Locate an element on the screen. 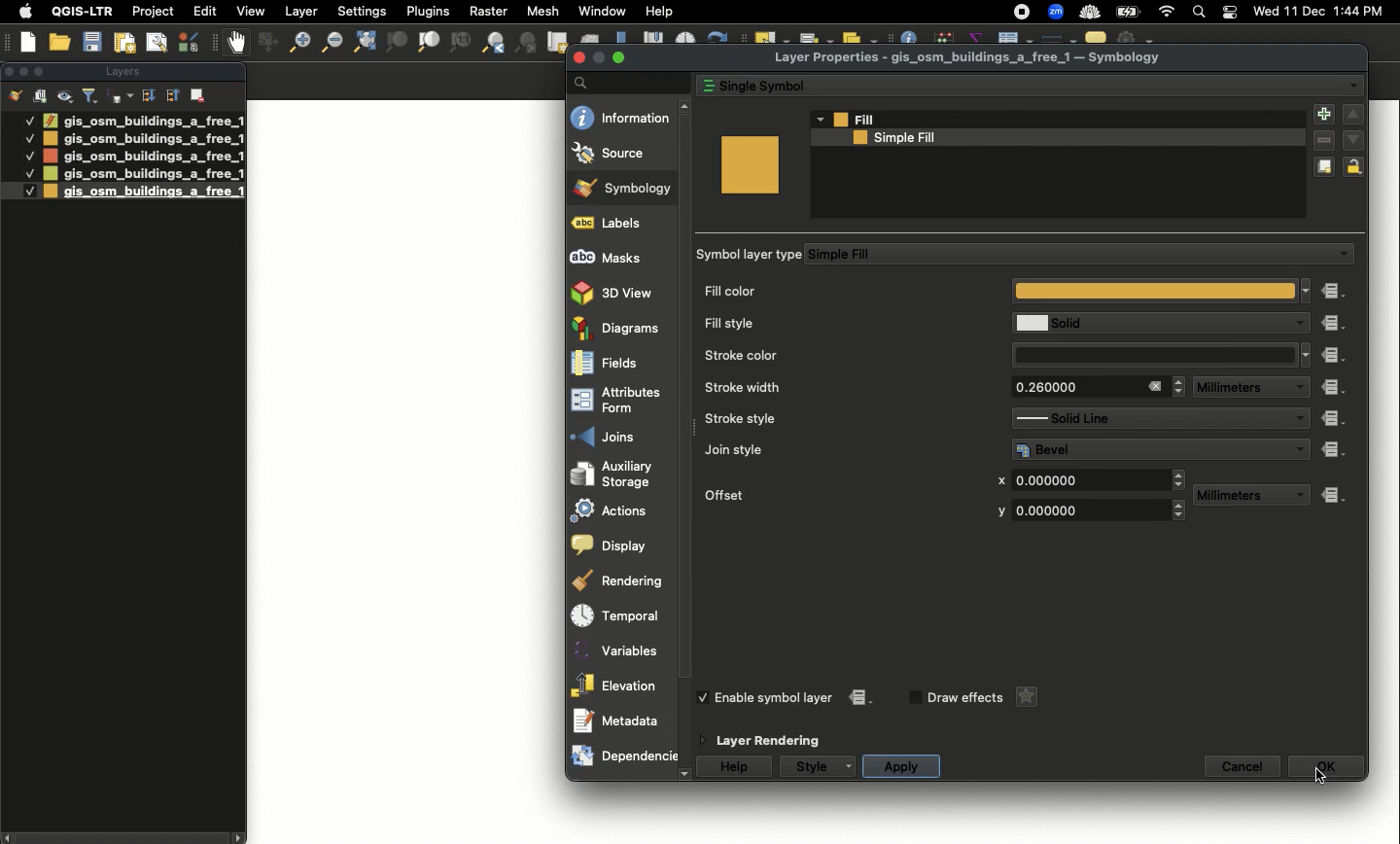  down is located at coordinates (685, 775).